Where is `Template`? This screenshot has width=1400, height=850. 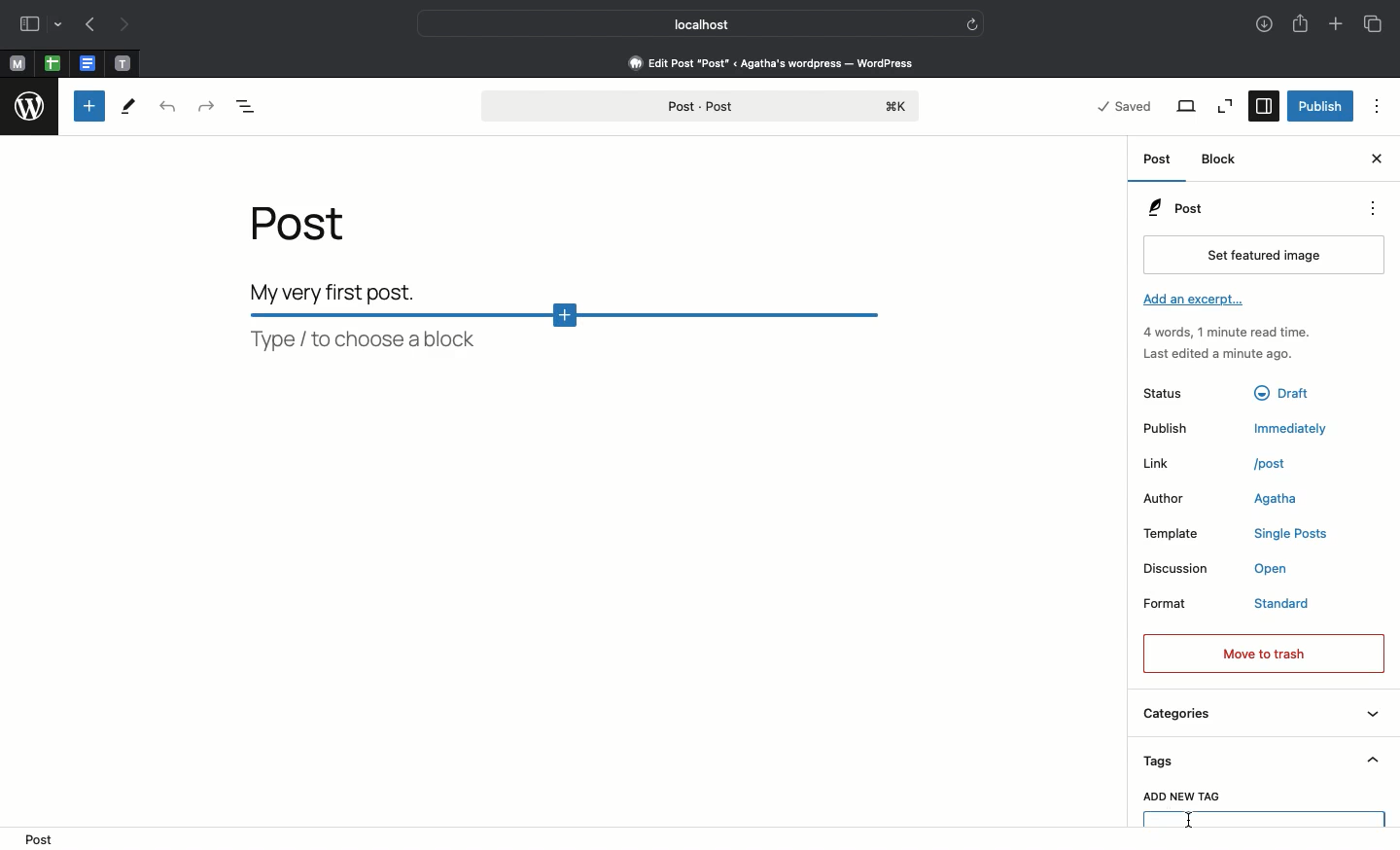
Template is located at coordinates (1175, 533).